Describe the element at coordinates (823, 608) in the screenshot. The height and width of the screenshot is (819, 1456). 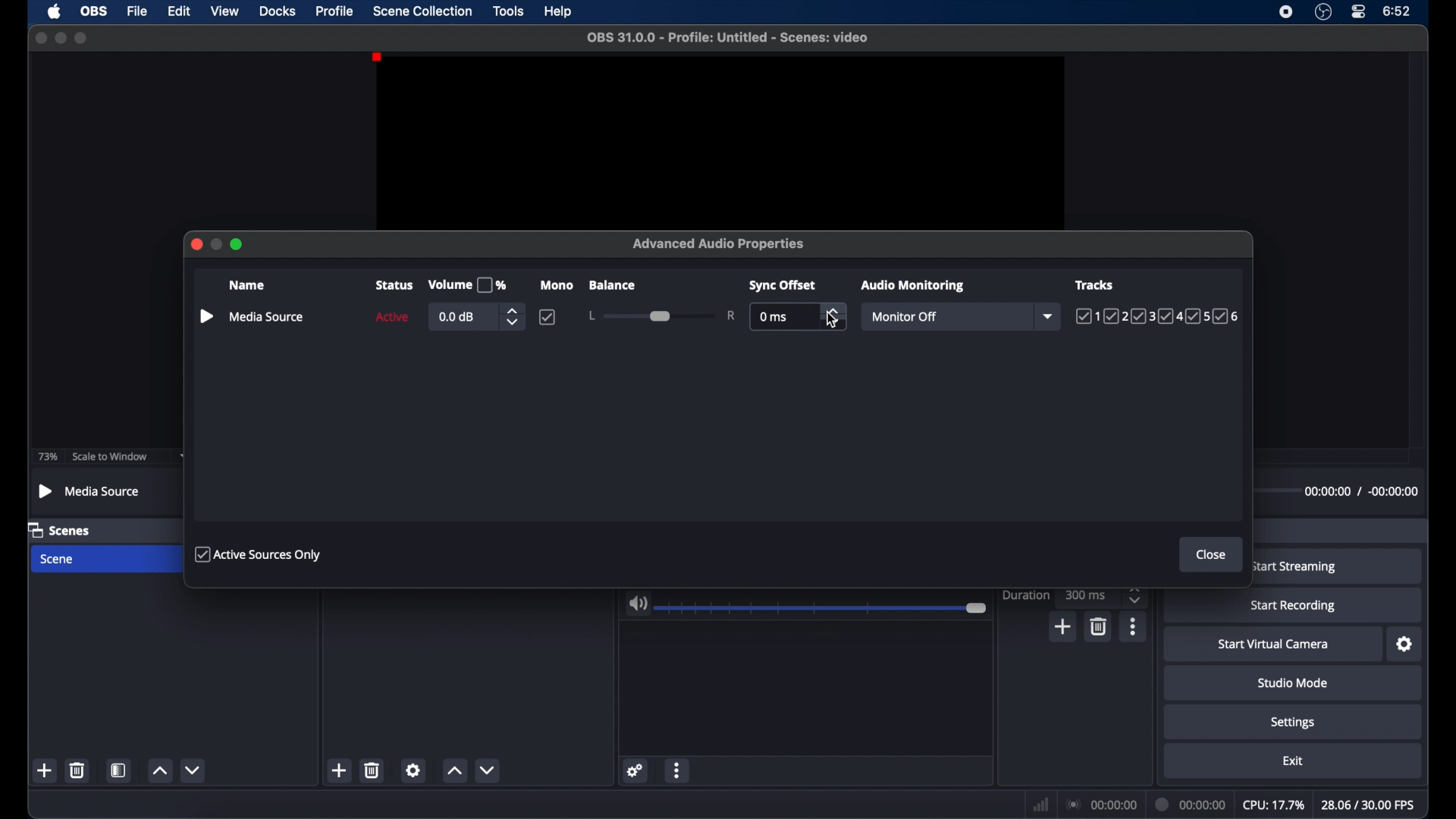
I see `slider` at that location.